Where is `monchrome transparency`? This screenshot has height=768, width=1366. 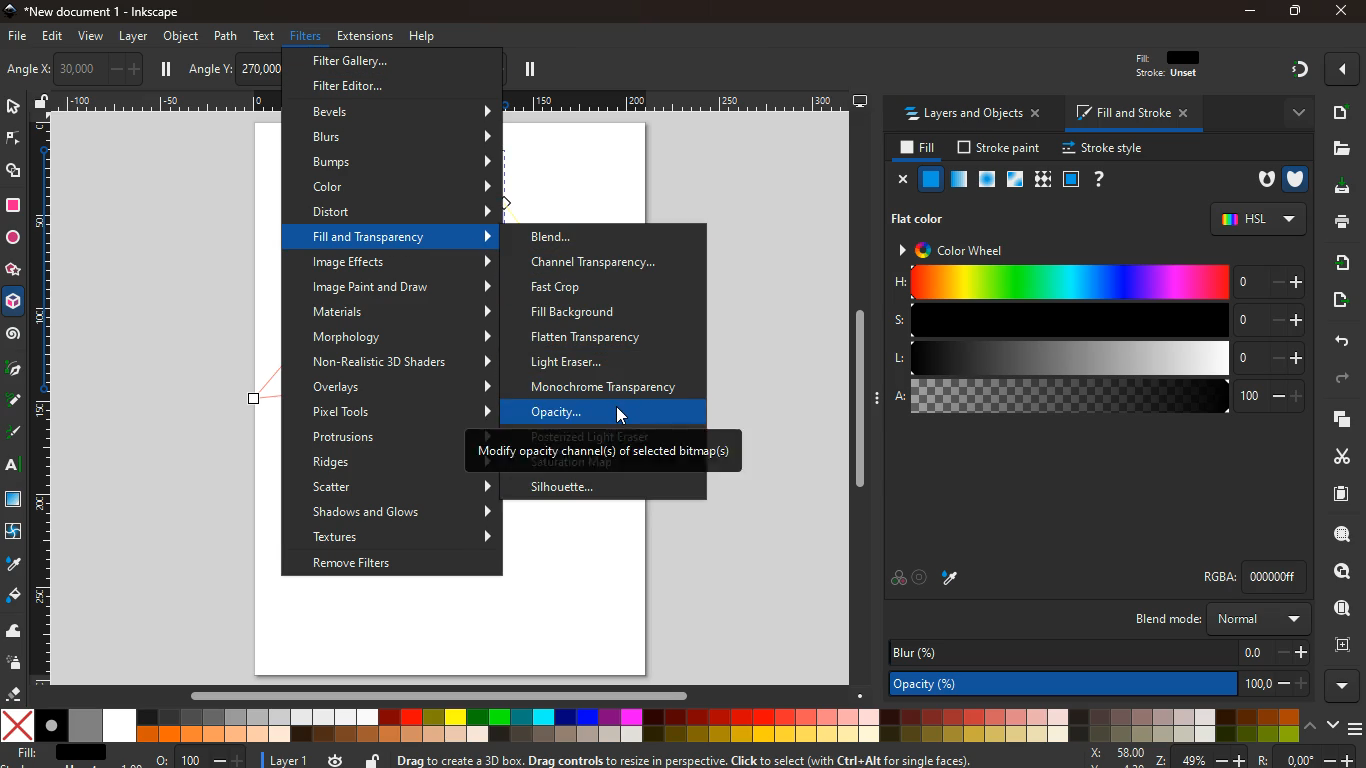
monchrome transparency is located at coordinates (615, 386).